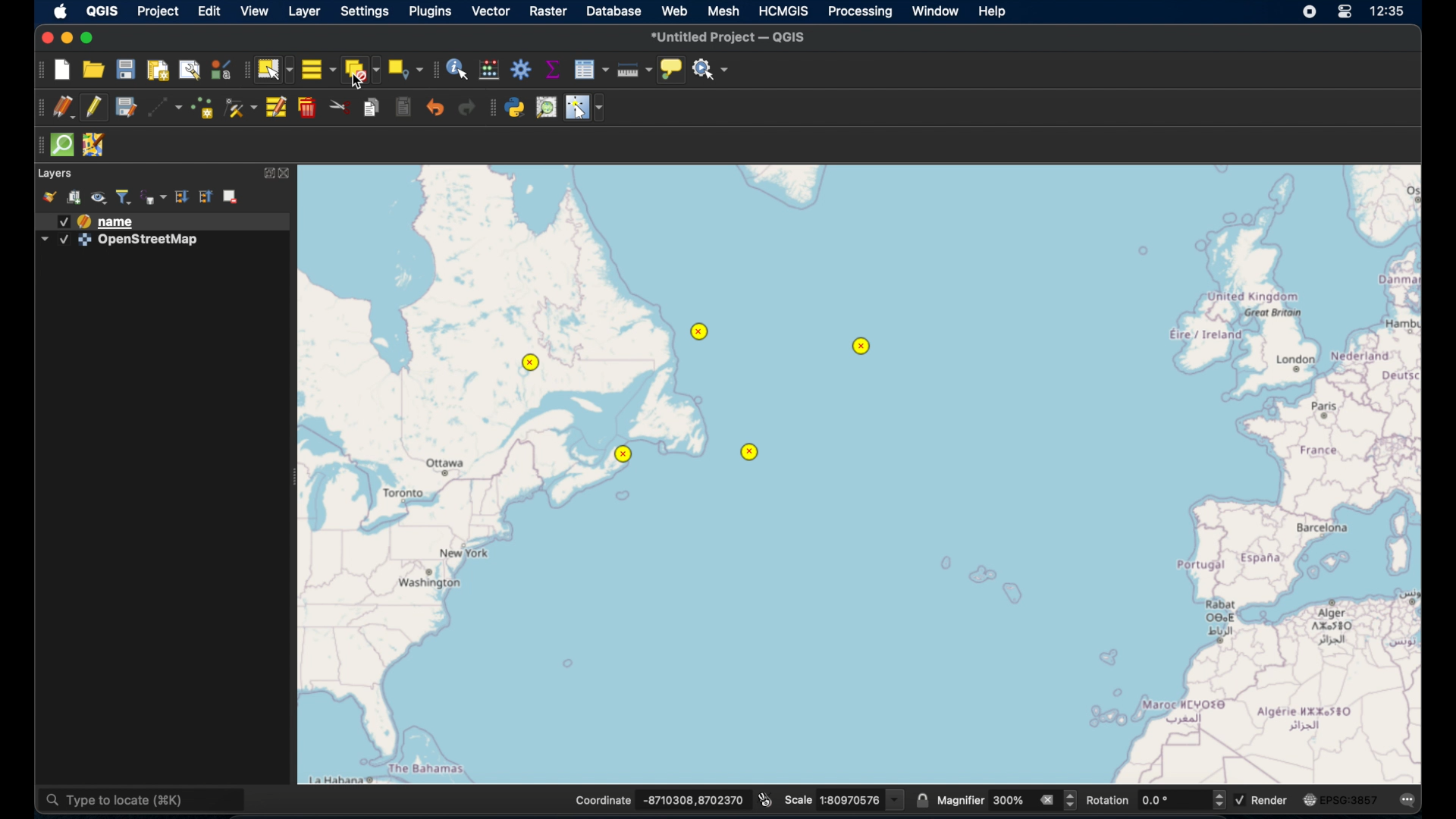 This screenshot has width=1456, height=819. Describe the element at coordinates (339, 108) in the screenshot. I see `cut features` at that location.